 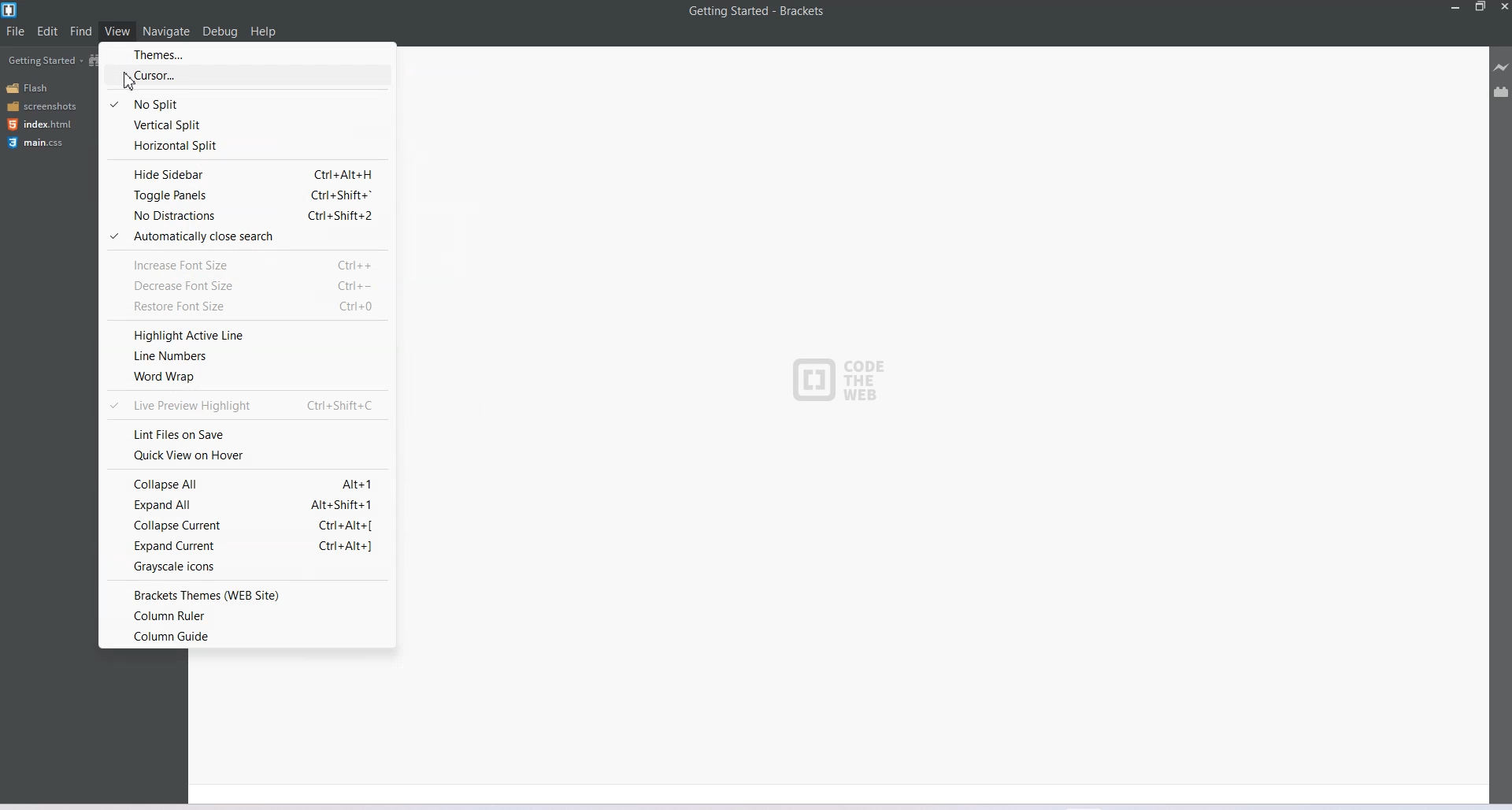 What do you see at coordinates (47, 32) in the screenshot?
I see `Edit` at bounding box center [47, 32].